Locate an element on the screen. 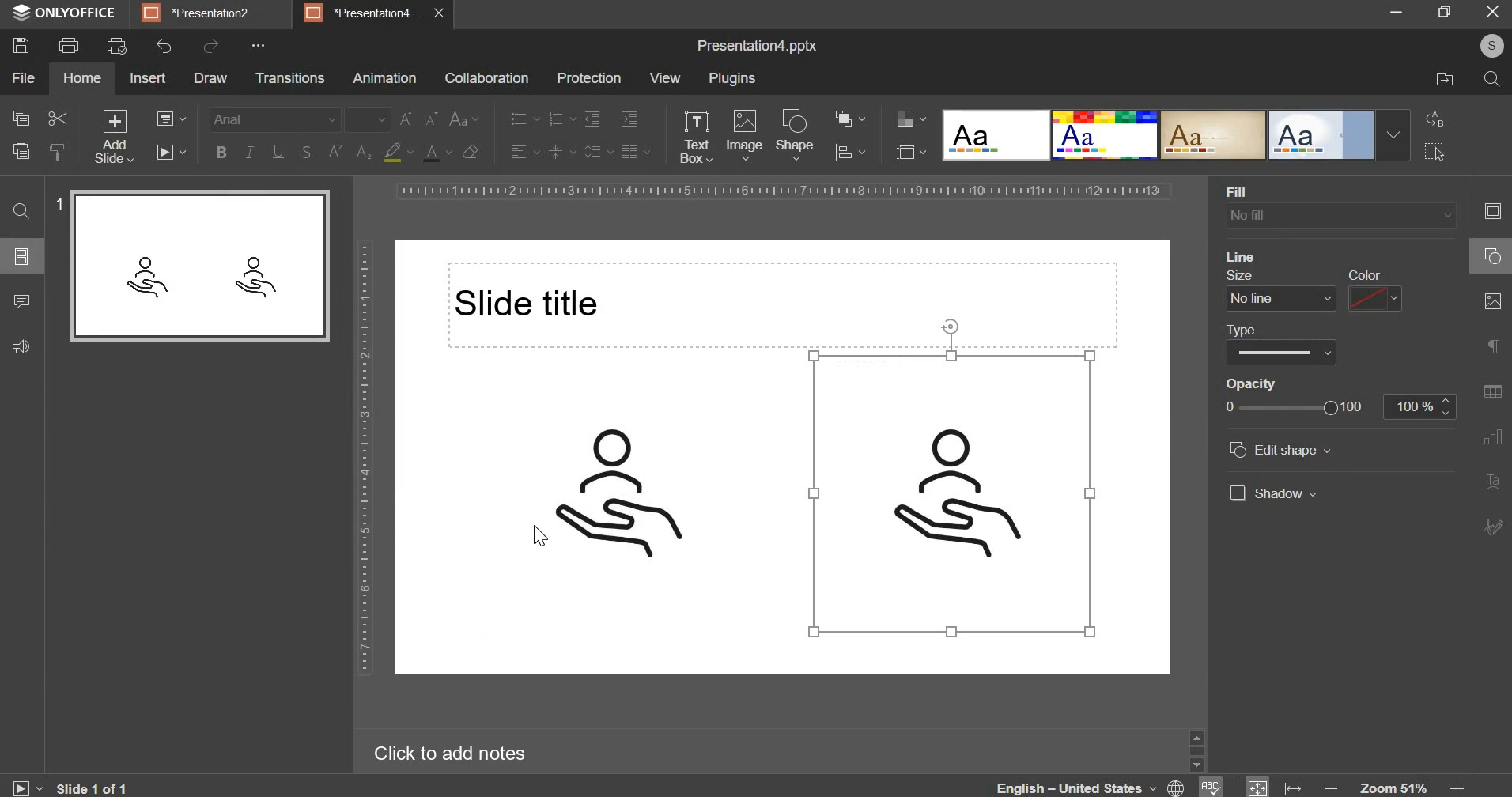 This screenshot has height=797, width=1512. increase indent is located at coordinates (629, 119).